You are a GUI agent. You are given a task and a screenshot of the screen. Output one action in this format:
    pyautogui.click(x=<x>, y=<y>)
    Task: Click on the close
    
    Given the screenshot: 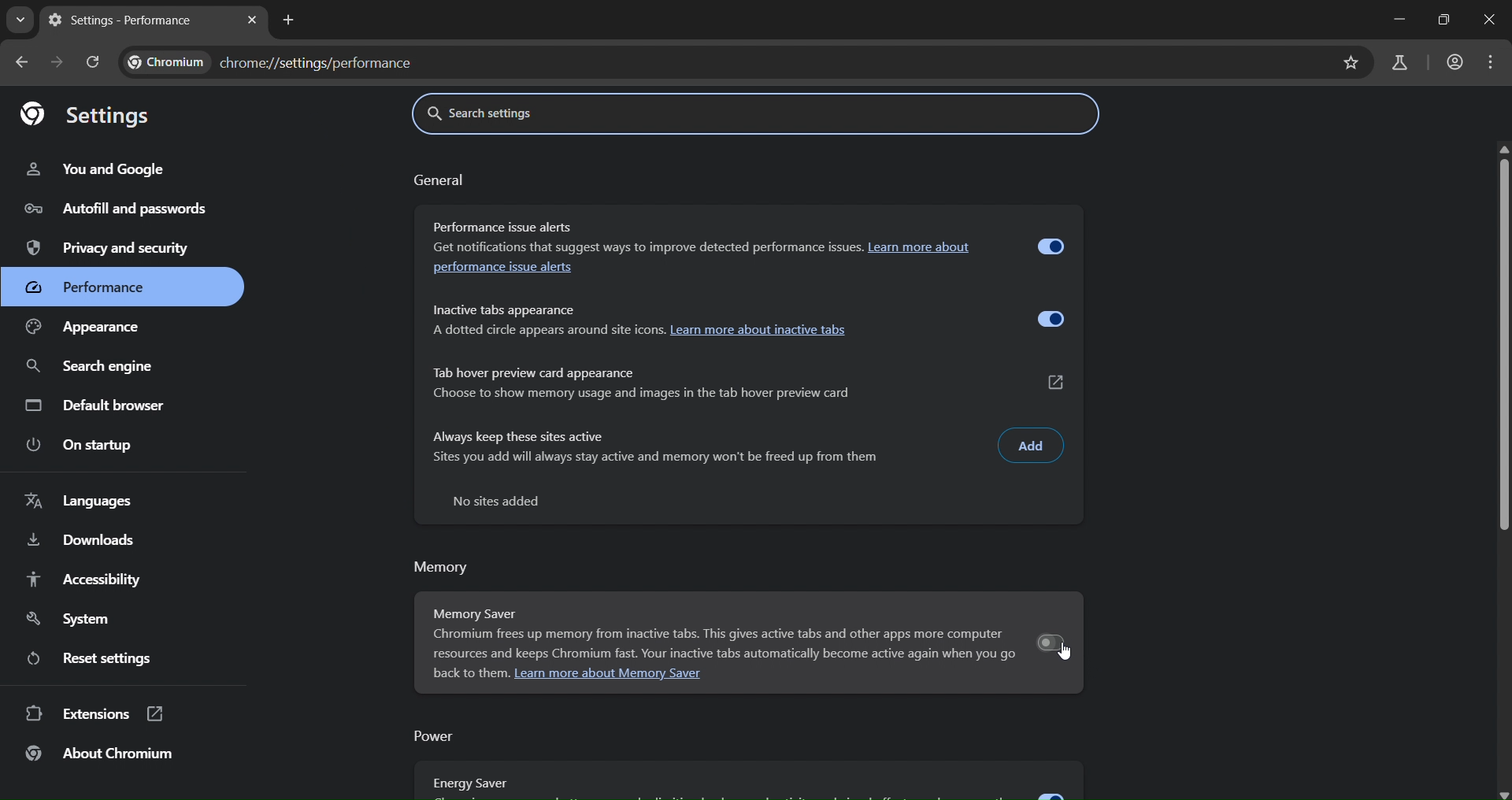 What is the action you would take?
    pyautogui.click(x=1494, y=22)
    